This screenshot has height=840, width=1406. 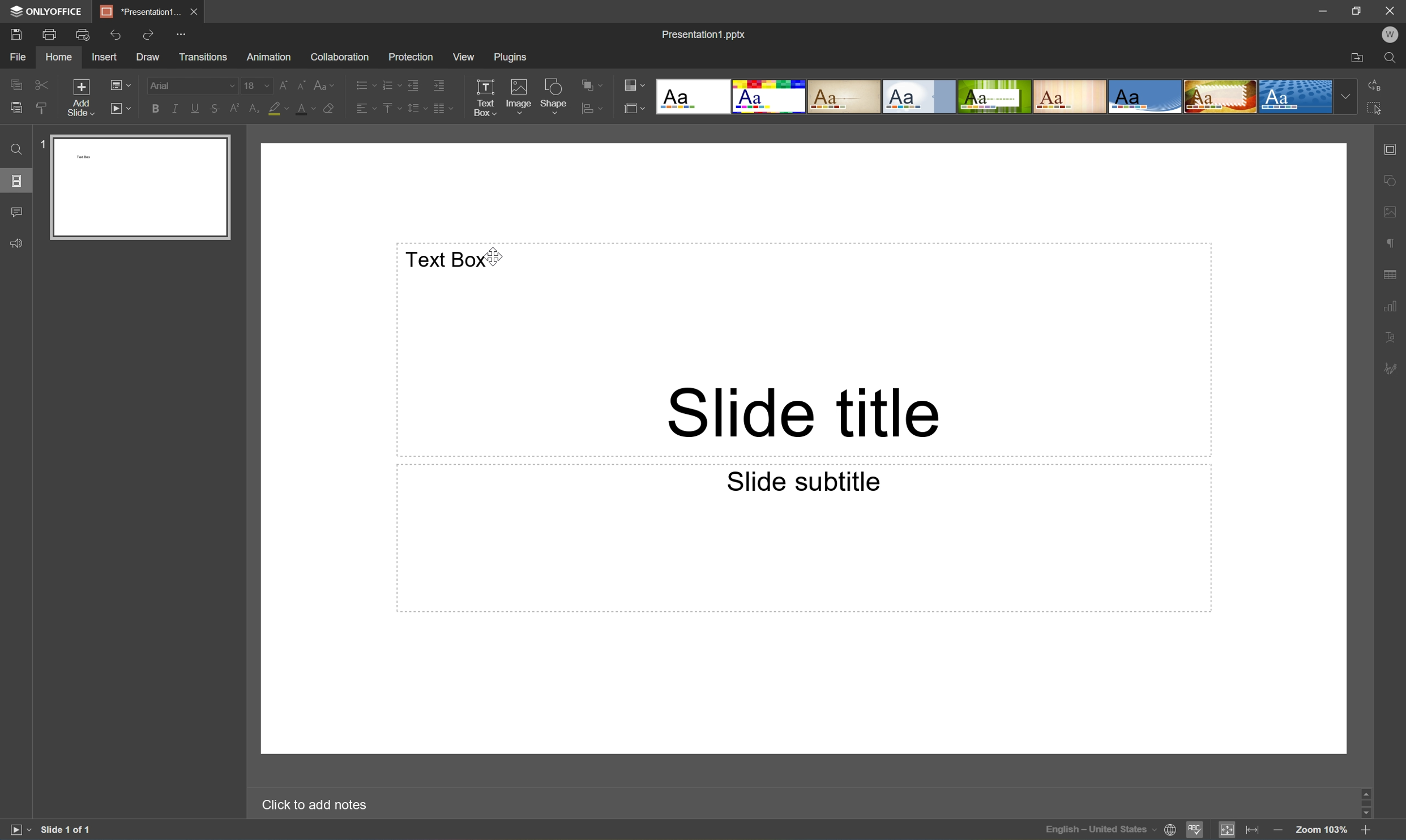 What do you see at coordinates (519, 96) in the screenshot?
I see `Image` at bounding box center [519, 96].